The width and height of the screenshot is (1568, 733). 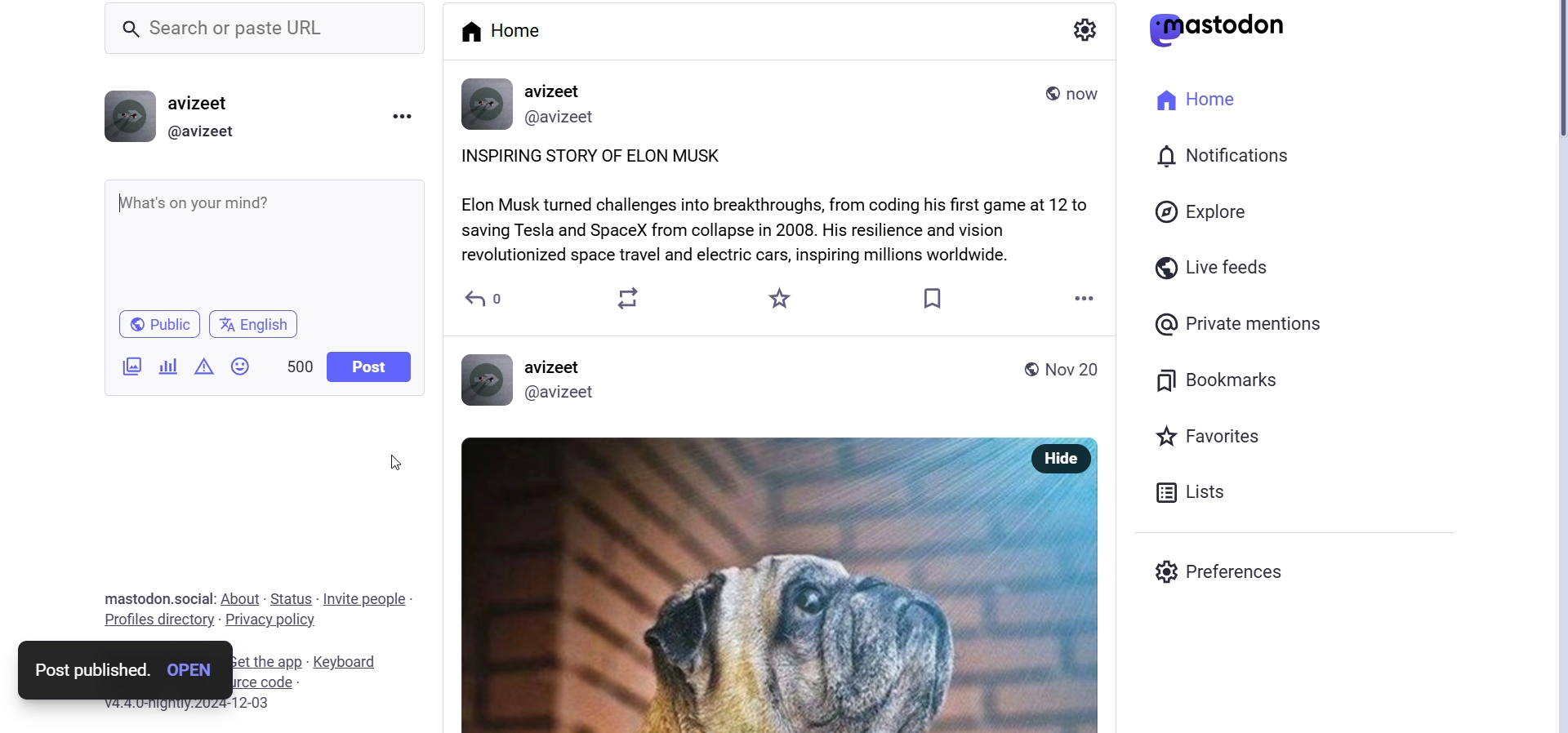 I want to click on status, so click(x=289, y=598).